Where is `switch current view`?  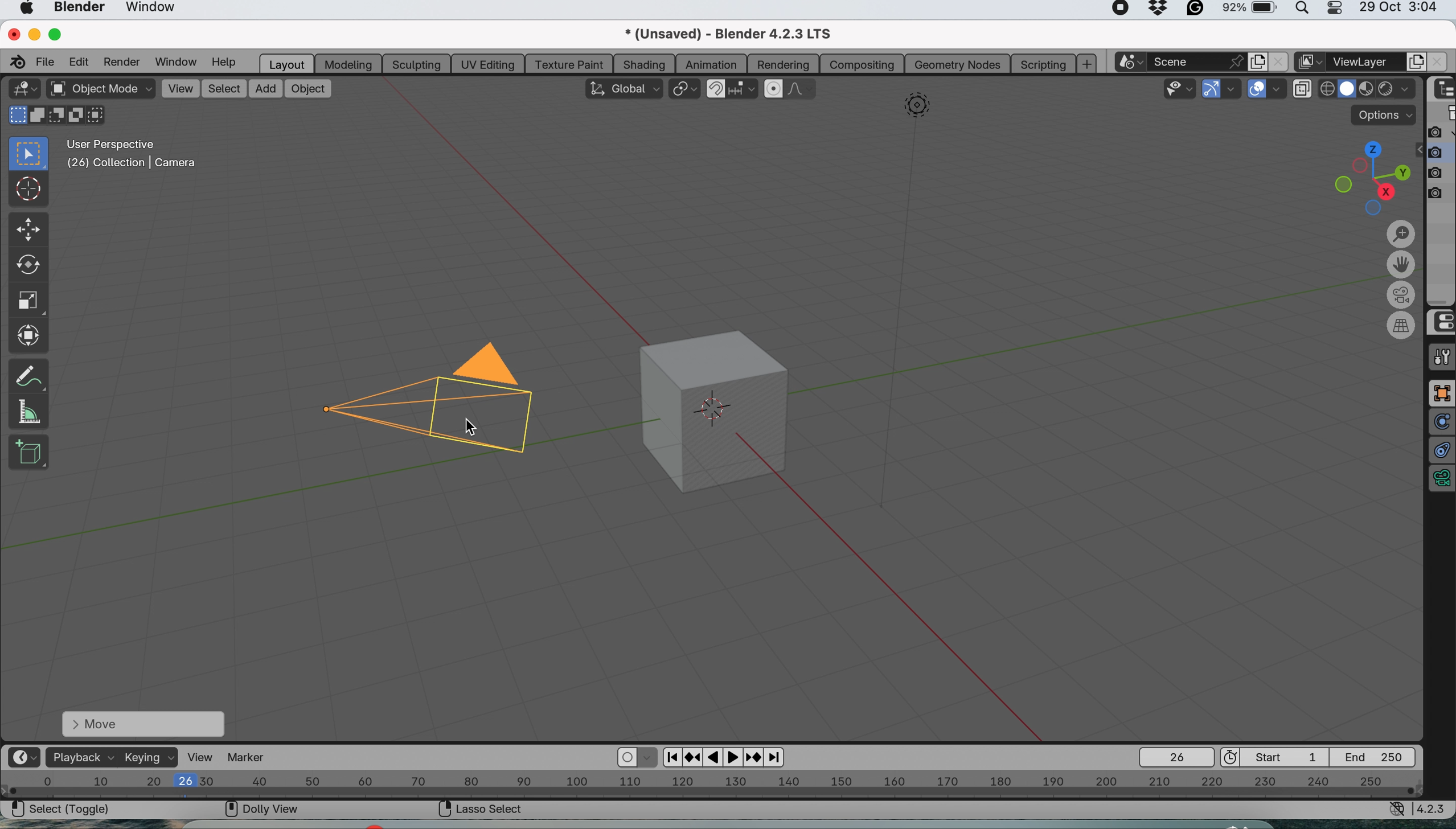 switch current view is located at coordinates (1403, 326).